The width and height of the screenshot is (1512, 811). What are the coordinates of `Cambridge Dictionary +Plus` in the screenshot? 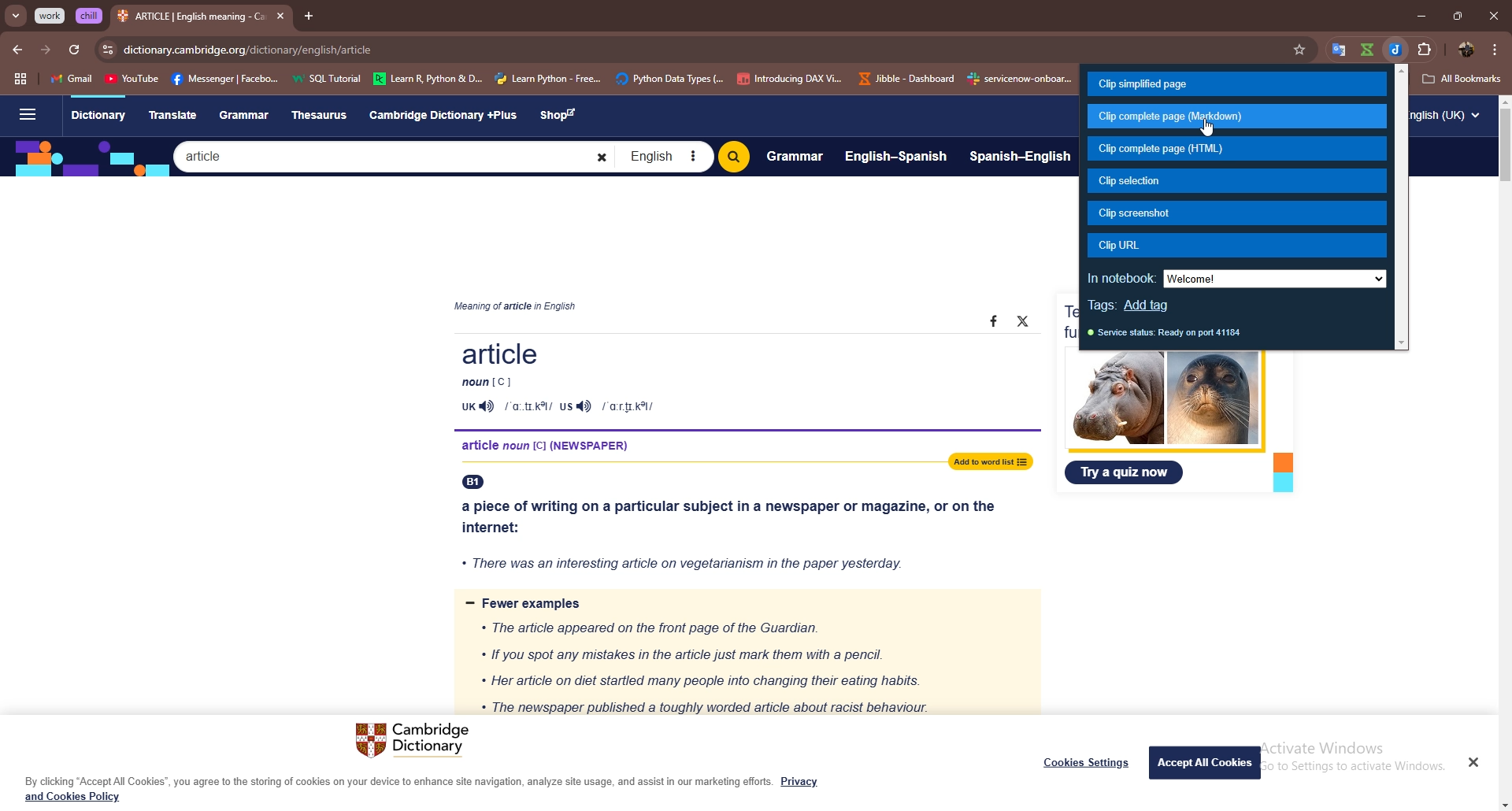 It's located at (445, 115).